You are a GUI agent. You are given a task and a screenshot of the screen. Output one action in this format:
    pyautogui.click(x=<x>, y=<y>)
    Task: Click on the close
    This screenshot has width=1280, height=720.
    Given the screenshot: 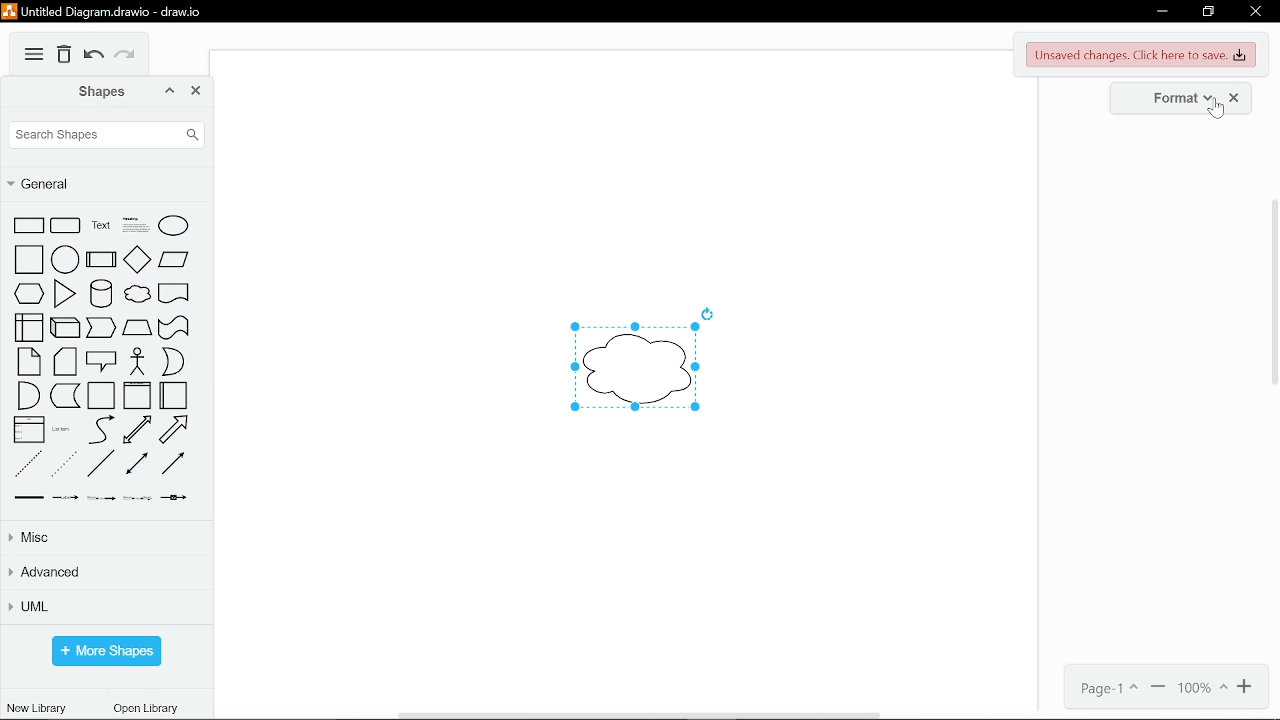 What is the action you would take?
    pyautogui.click(x=1234, y=97)
    